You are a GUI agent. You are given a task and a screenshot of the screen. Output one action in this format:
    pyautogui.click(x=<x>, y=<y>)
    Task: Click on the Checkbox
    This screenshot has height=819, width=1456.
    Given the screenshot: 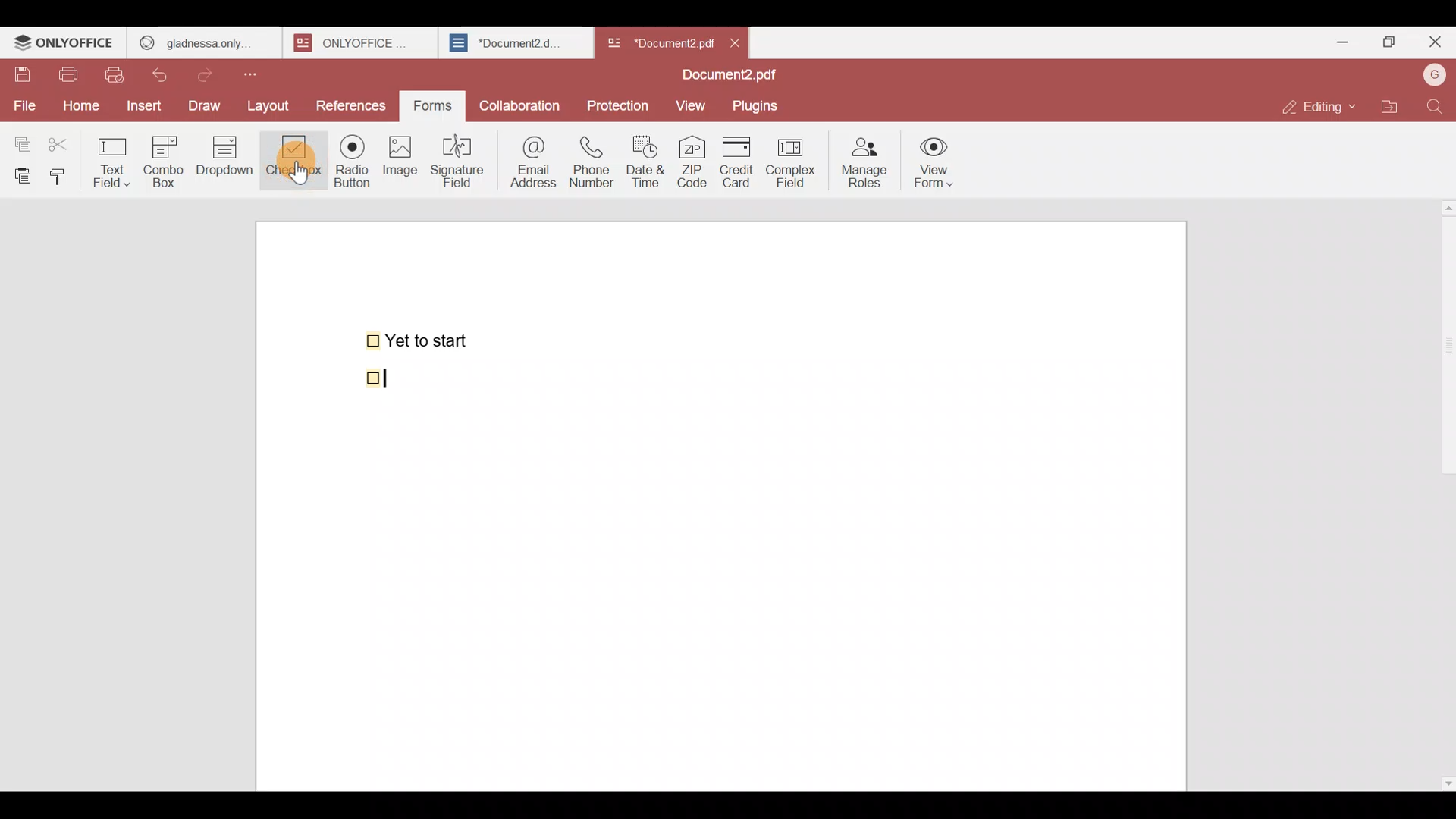 What is the action you would take?
    pyautogui.click(x=290, y=160)
    